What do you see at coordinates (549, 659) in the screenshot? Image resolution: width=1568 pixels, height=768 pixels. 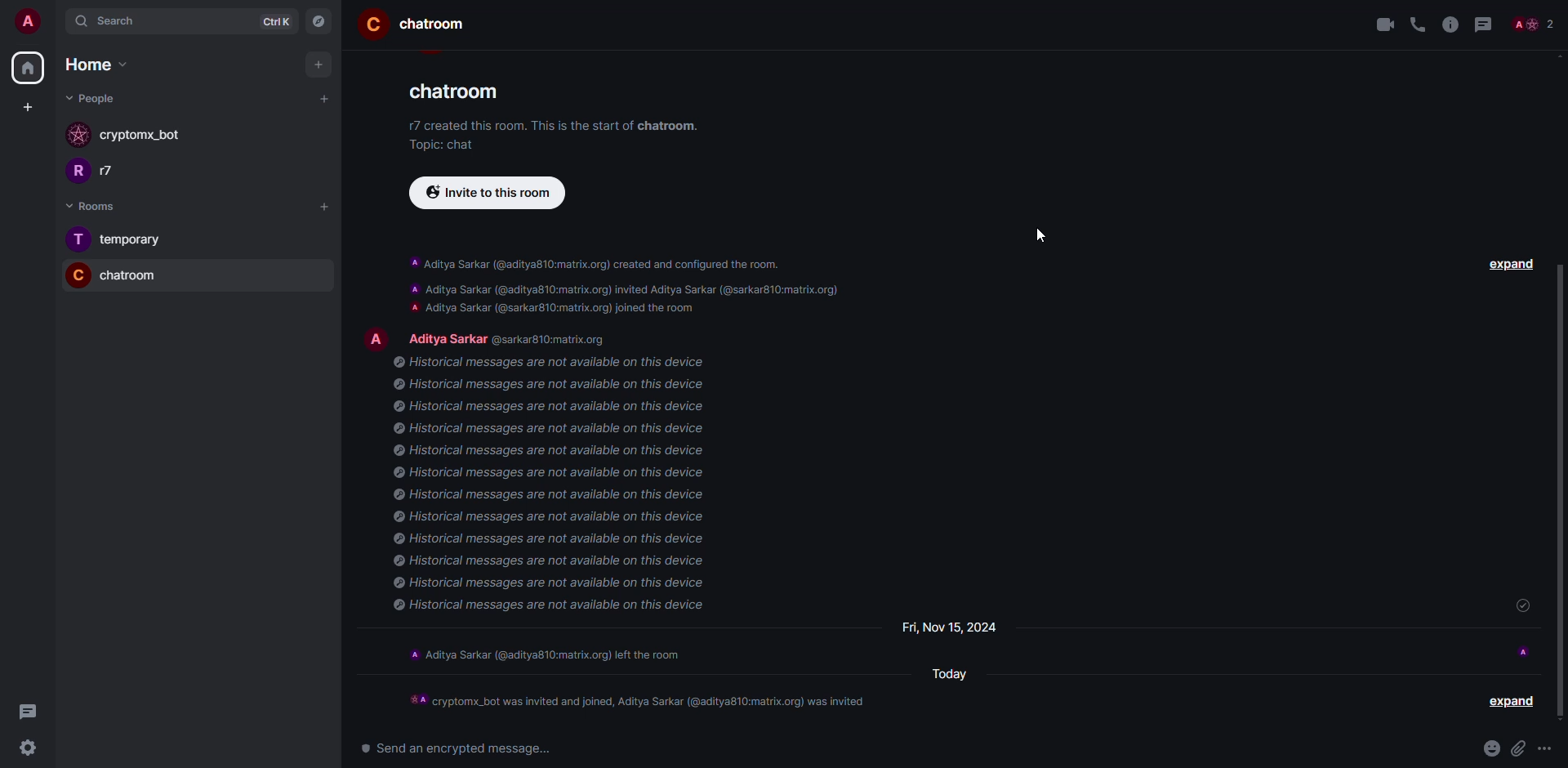 I see `left the room` at bounding box center [549, 659].